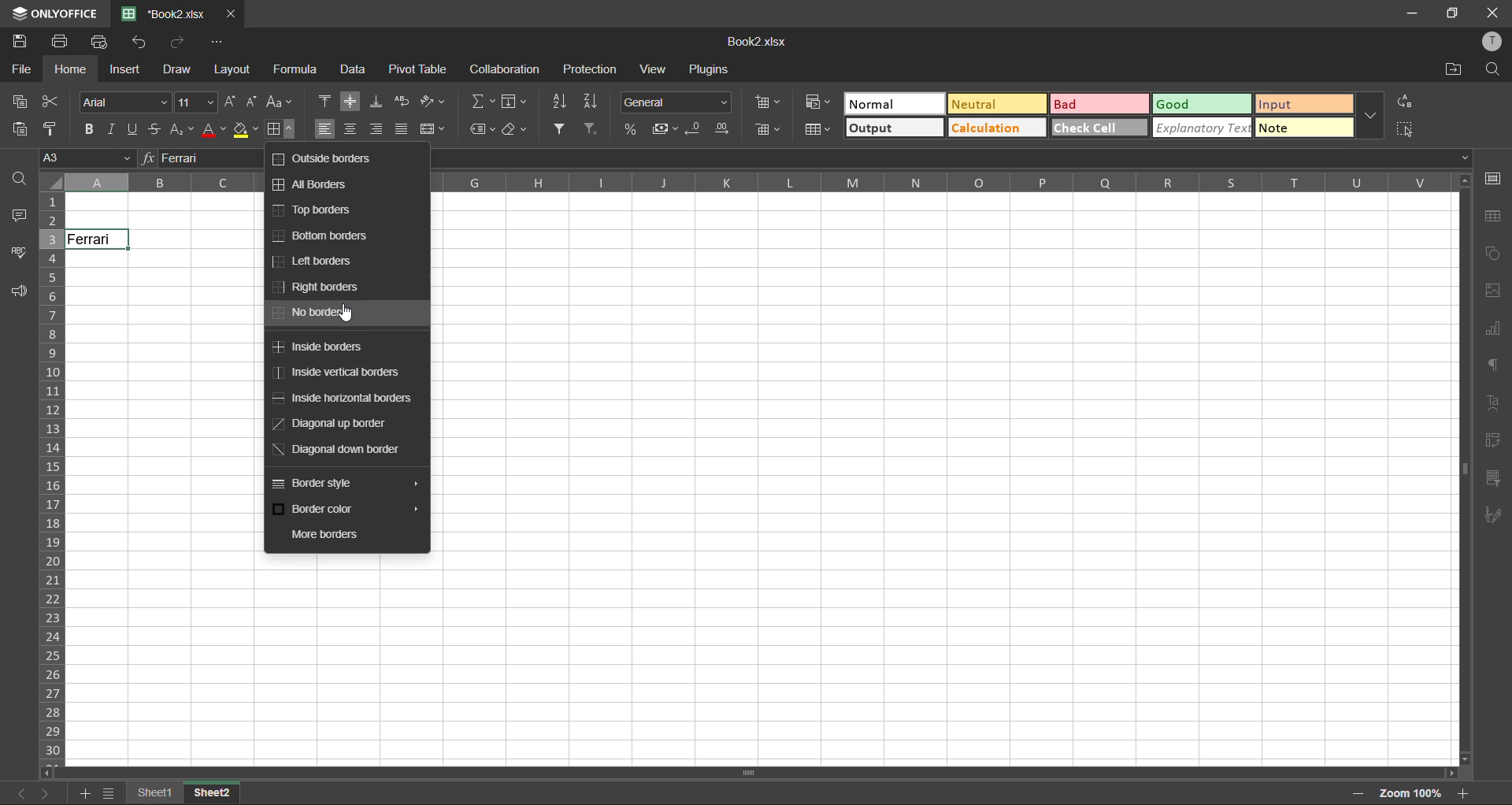 The height and width of the screenshot is (805, 1512). I want to click on copy, so click(20, 102).